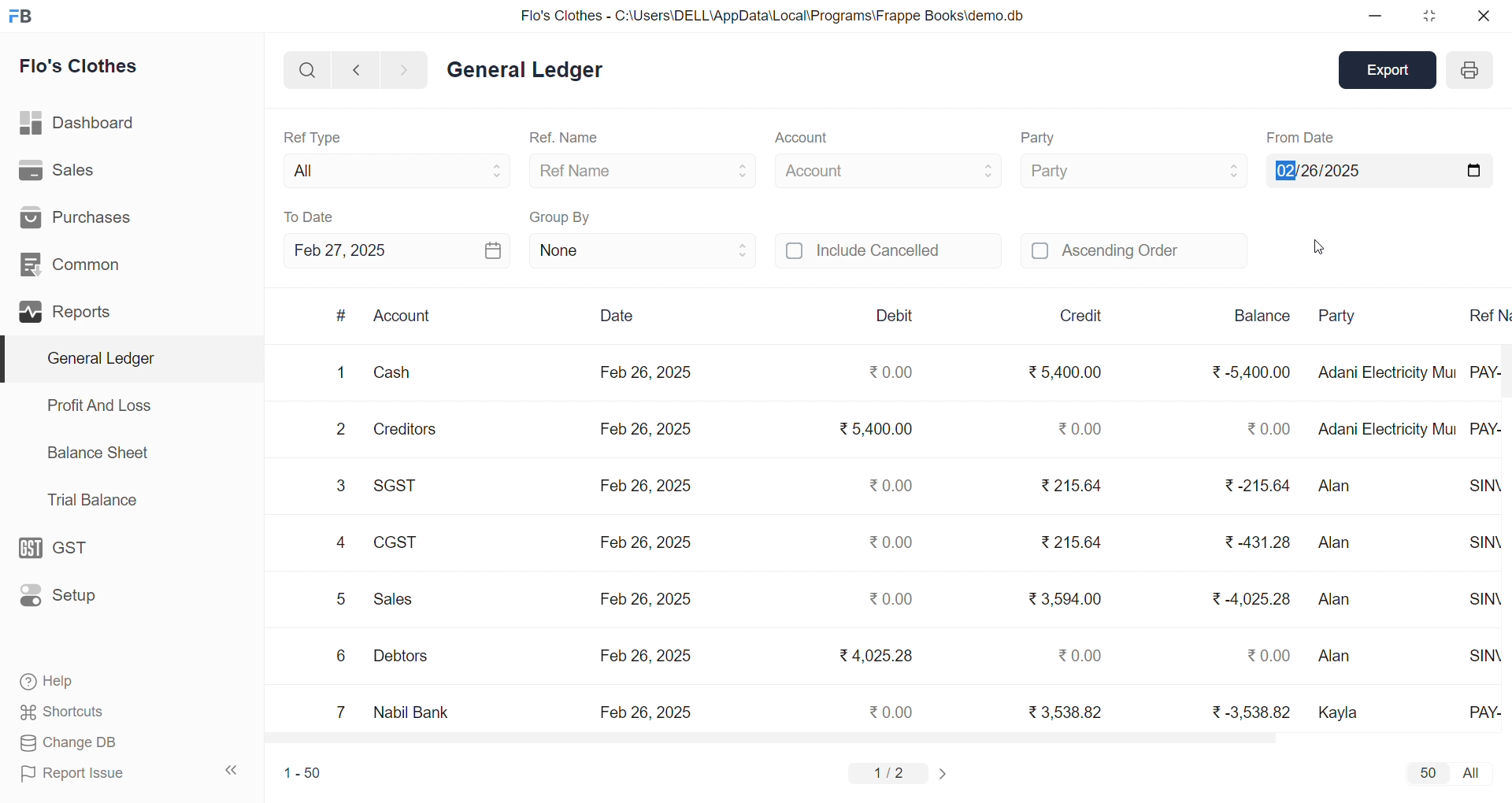 This screenshot has height=803, width=1512. Describe the element at coordinates (646, 373) in the screenshot. I see `Feb 26, 2025` at that location.